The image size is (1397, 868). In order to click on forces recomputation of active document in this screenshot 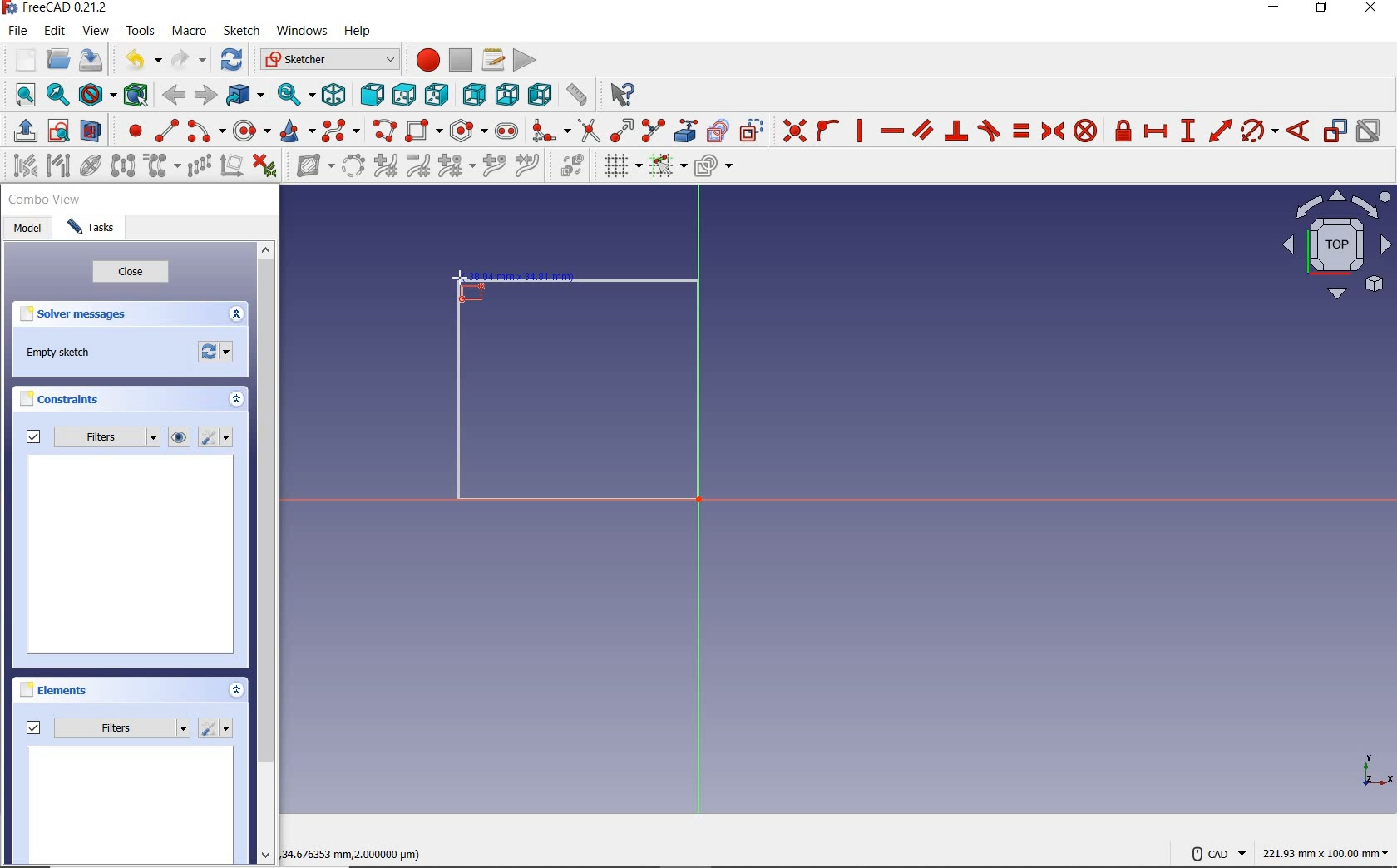, I will do `click(217, 355)`.